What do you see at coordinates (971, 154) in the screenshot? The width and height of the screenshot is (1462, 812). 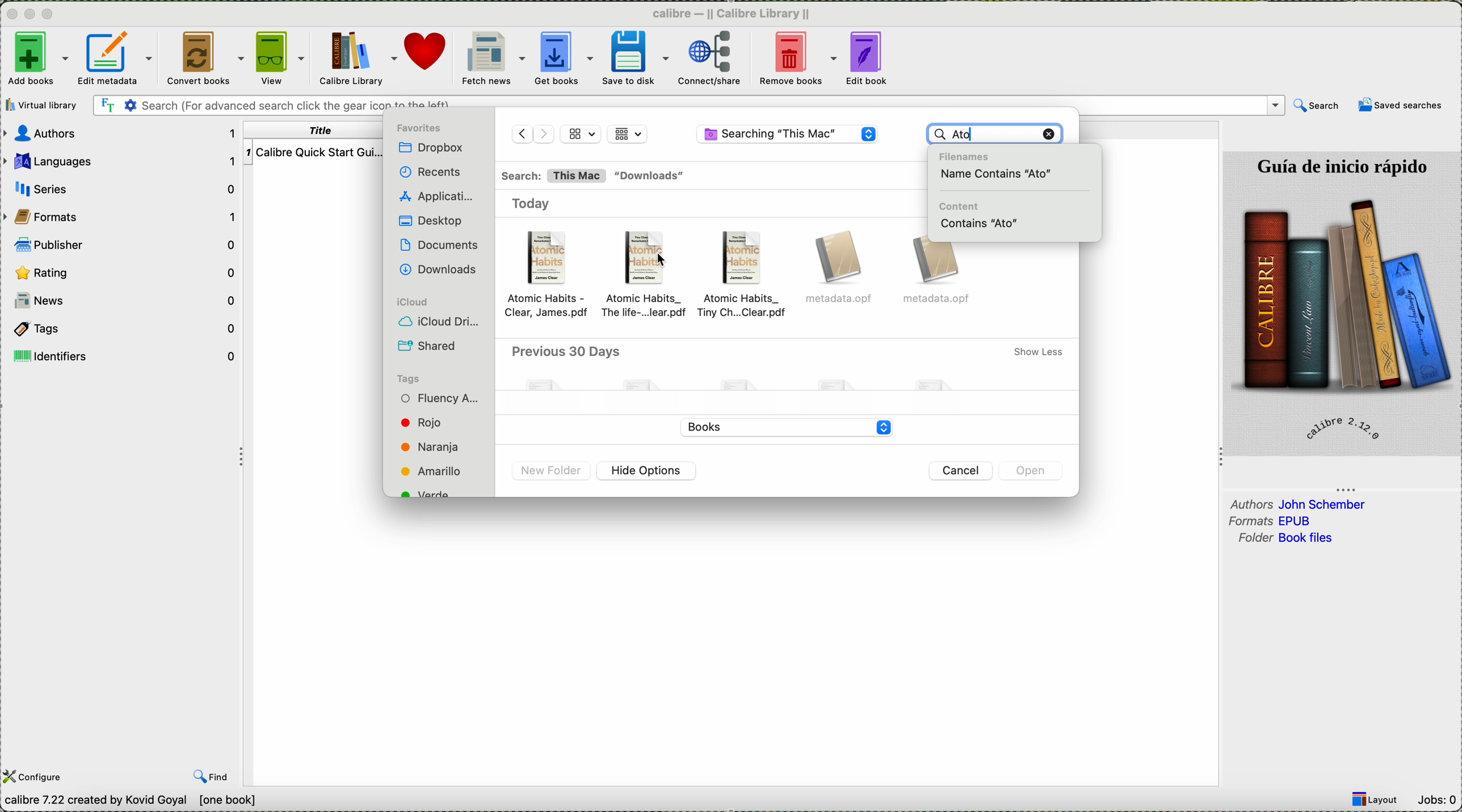 I see `filename` at bounding box center [971, 154].